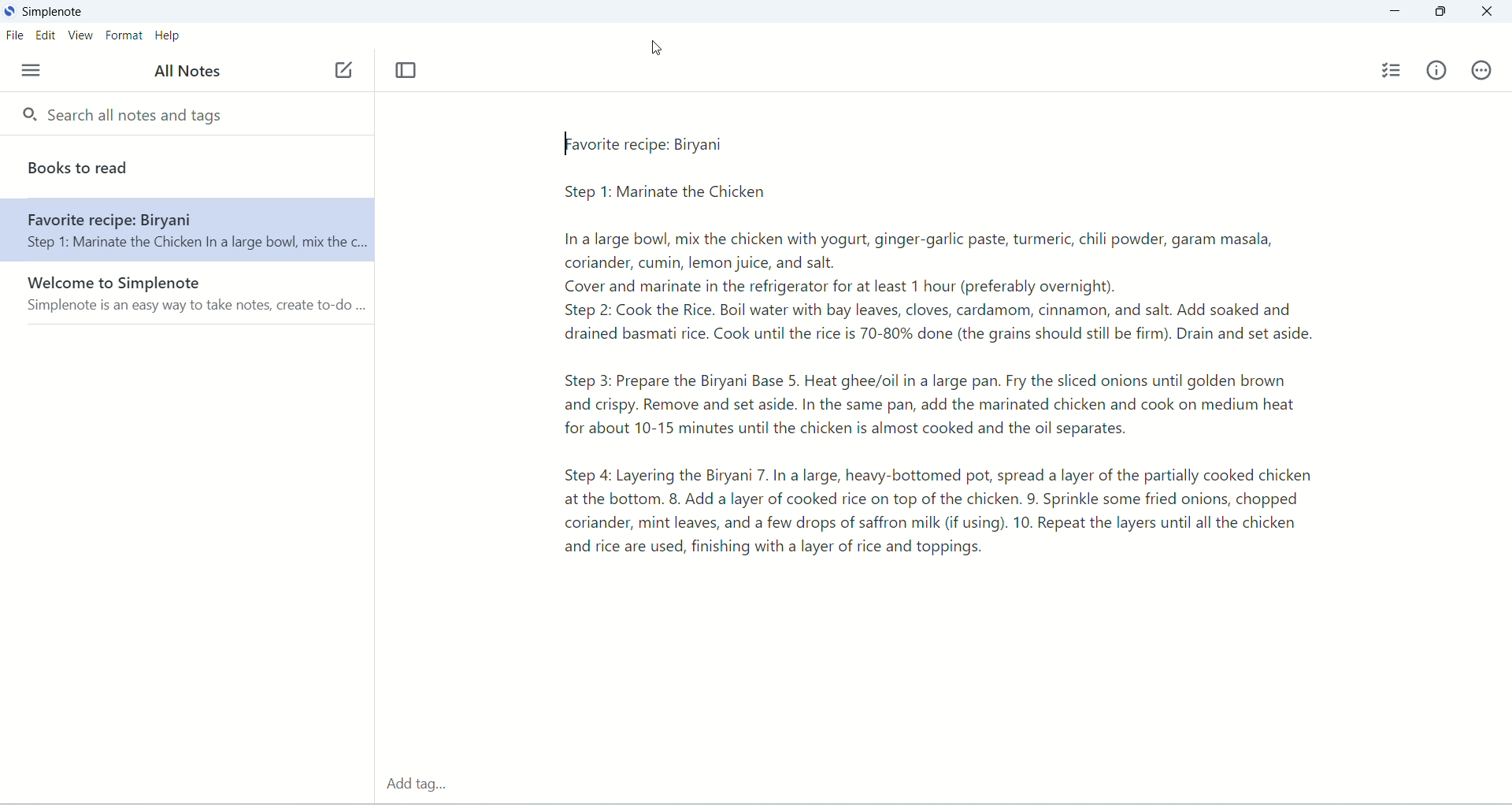  What do you see at coordinates (188, 167) in the screenshot?
I see `books to read` at bounding box center [188, 167].